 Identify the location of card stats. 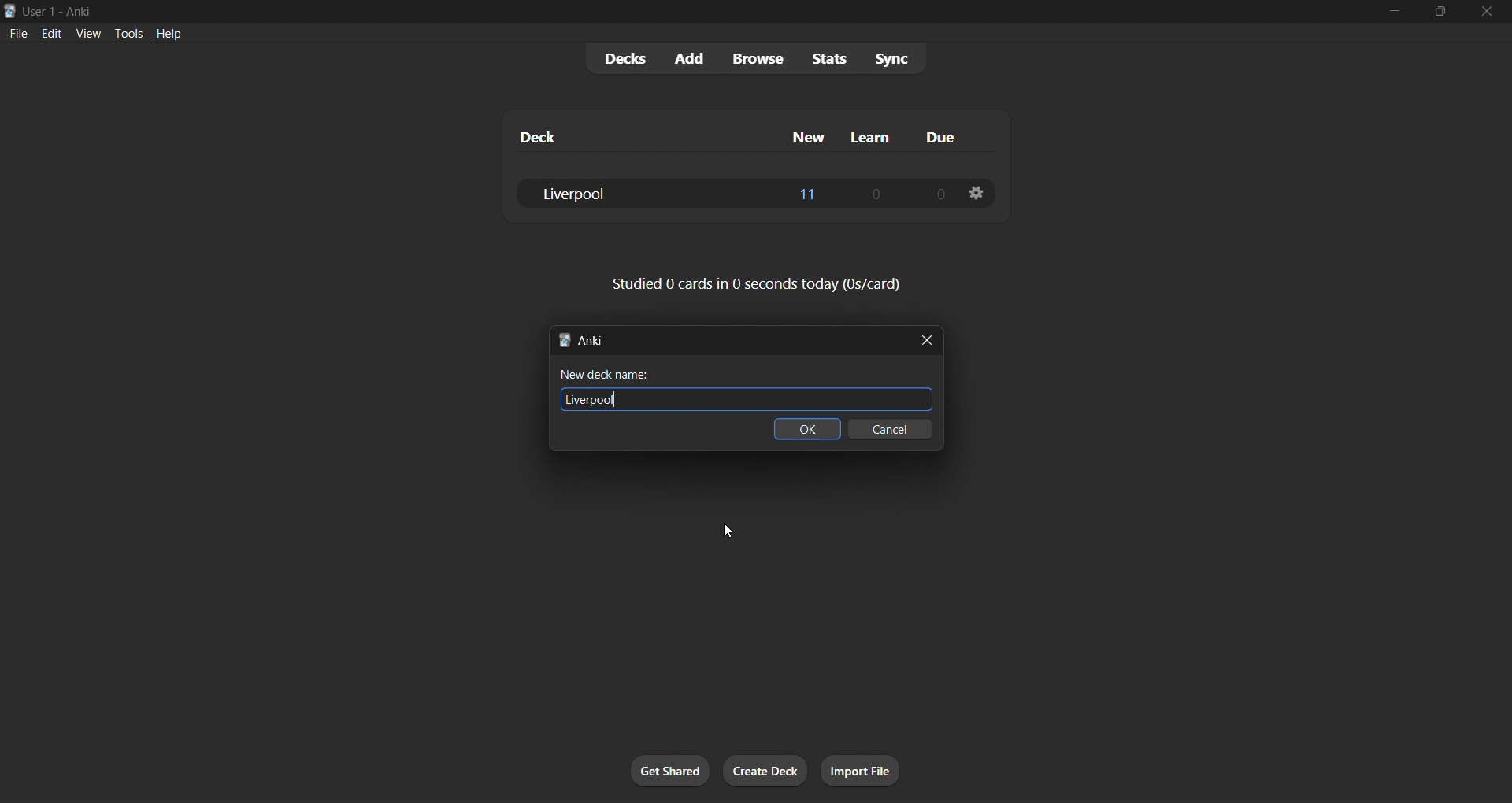
(762, 284).